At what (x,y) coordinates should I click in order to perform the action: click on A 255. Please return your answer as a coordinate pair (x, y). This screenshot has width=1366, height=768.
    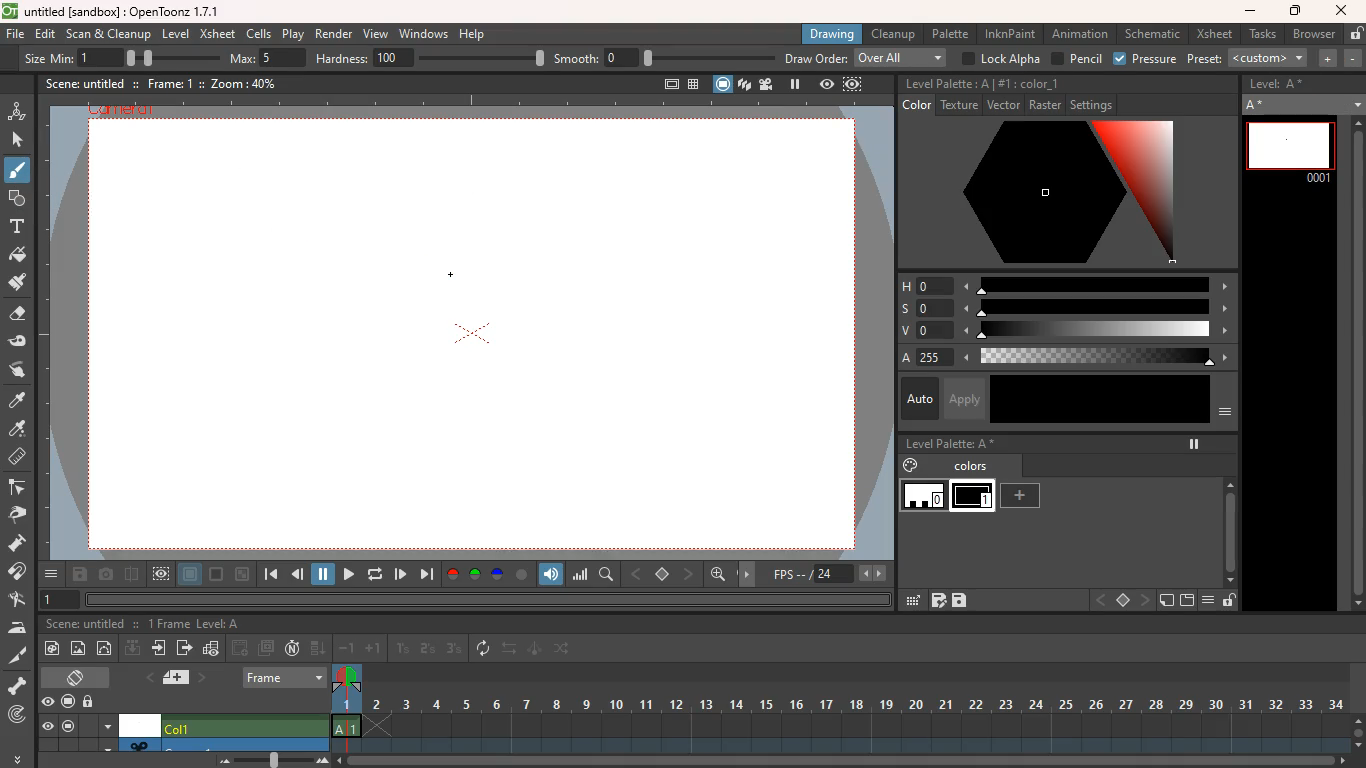
    Looking at the image, I should click on (925, 357).